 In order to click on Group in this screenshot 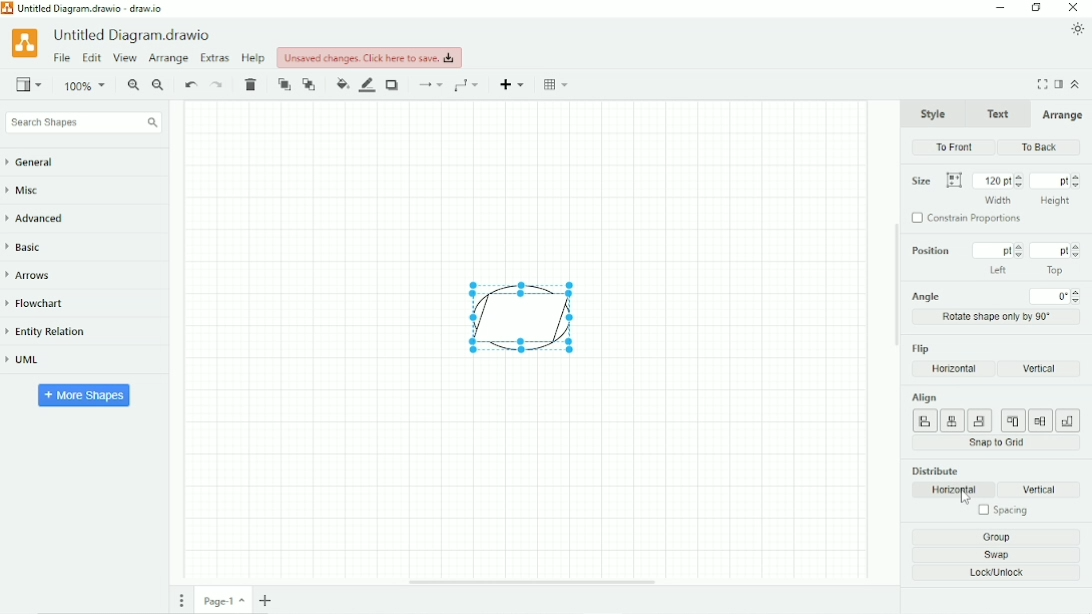, I will do `click(1001, 537)`.